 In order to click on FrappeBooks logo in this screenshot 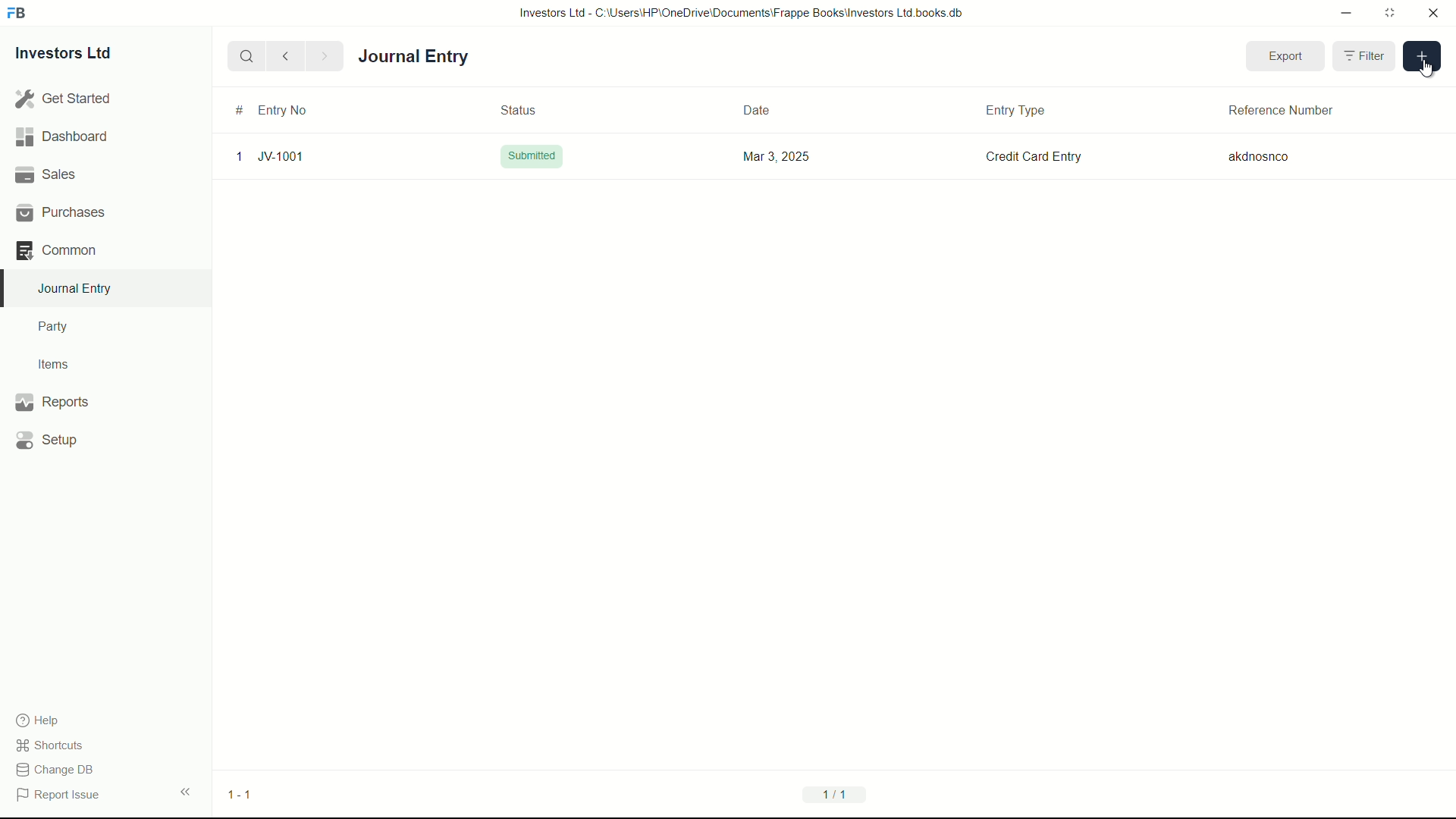, I will do `click(17, 14)`.